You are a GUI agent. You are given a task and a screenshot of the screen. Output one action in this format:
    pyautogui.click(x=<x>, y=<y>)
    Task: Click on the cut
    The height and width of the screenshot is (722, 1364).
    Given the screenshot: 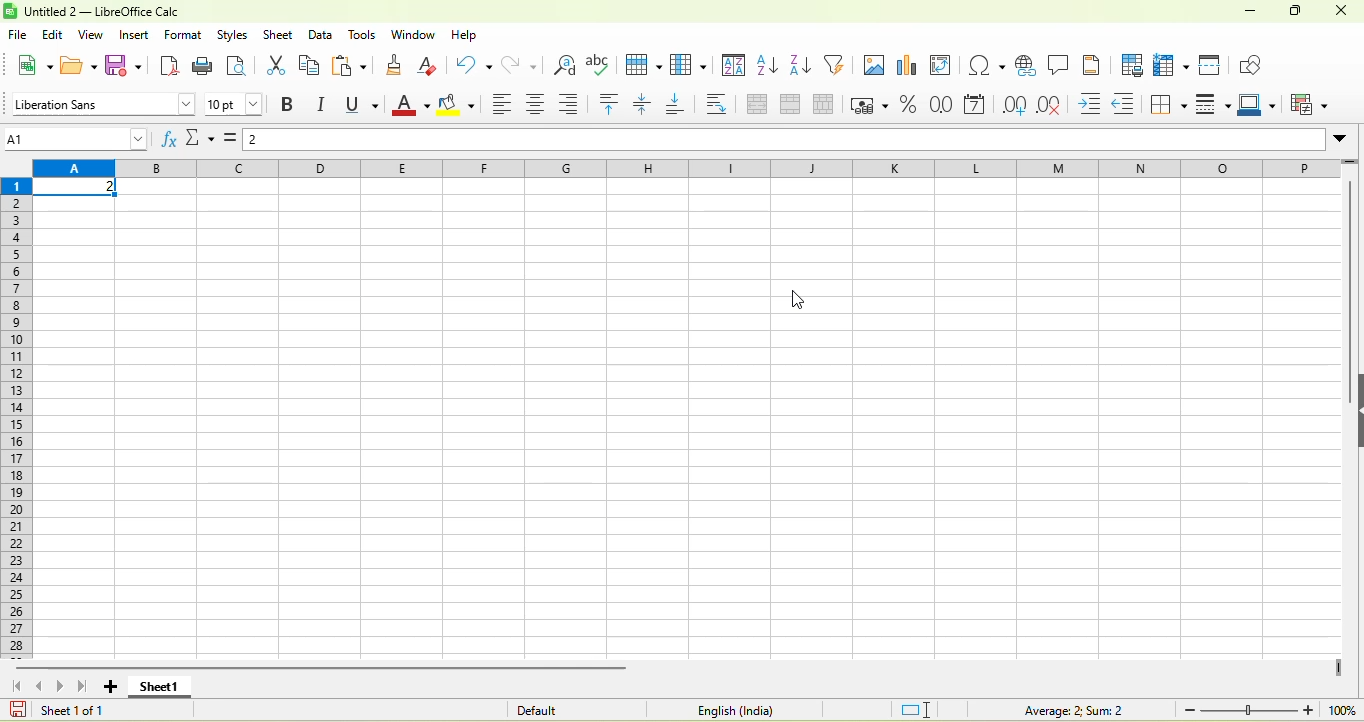 What is the action you would take?
    pyautogui.click(x=276, y=67)
    